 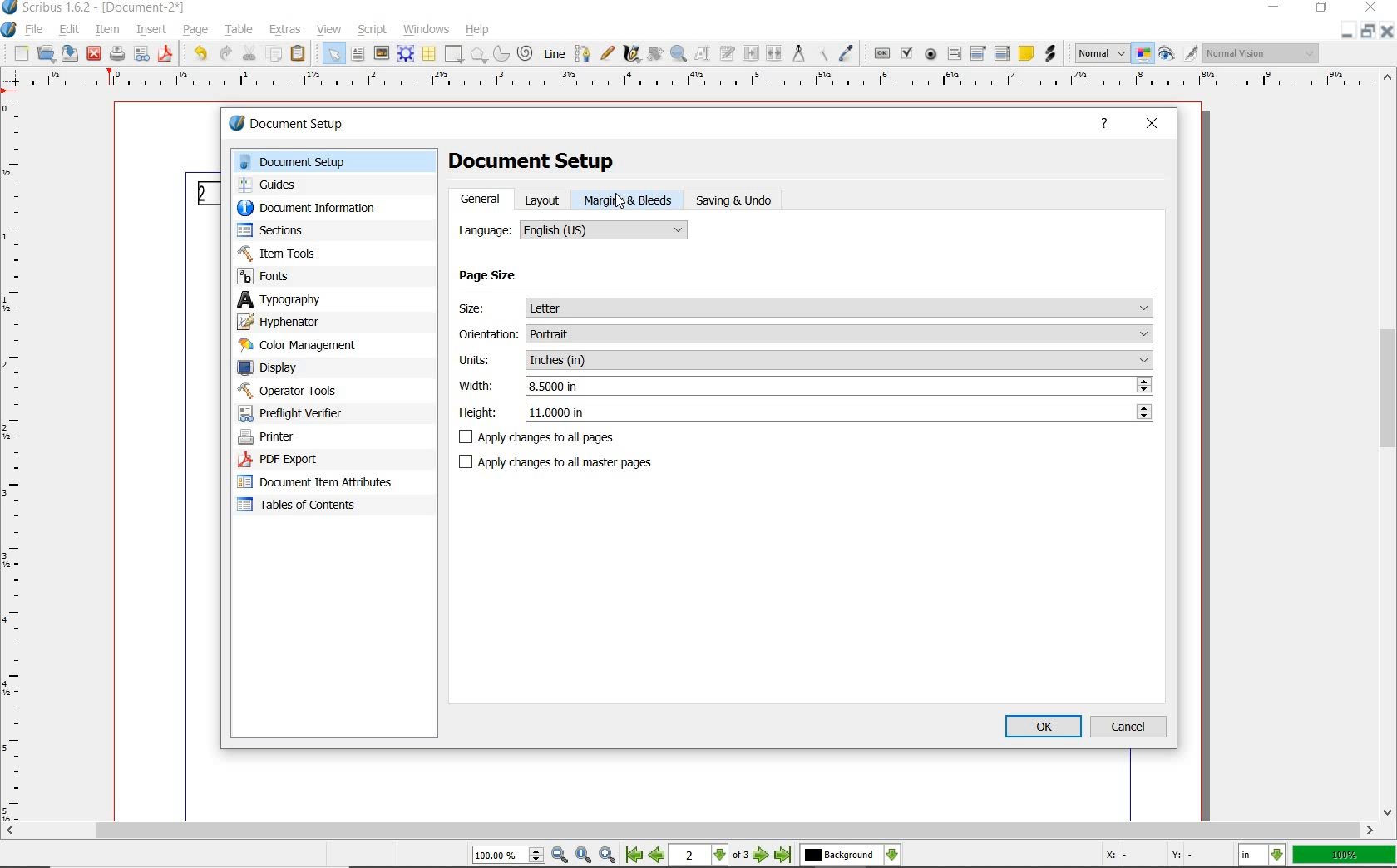 What do you see at coordinates (298, 56) in the screenshot?
I see `paste` at bounding box center [298, 56].